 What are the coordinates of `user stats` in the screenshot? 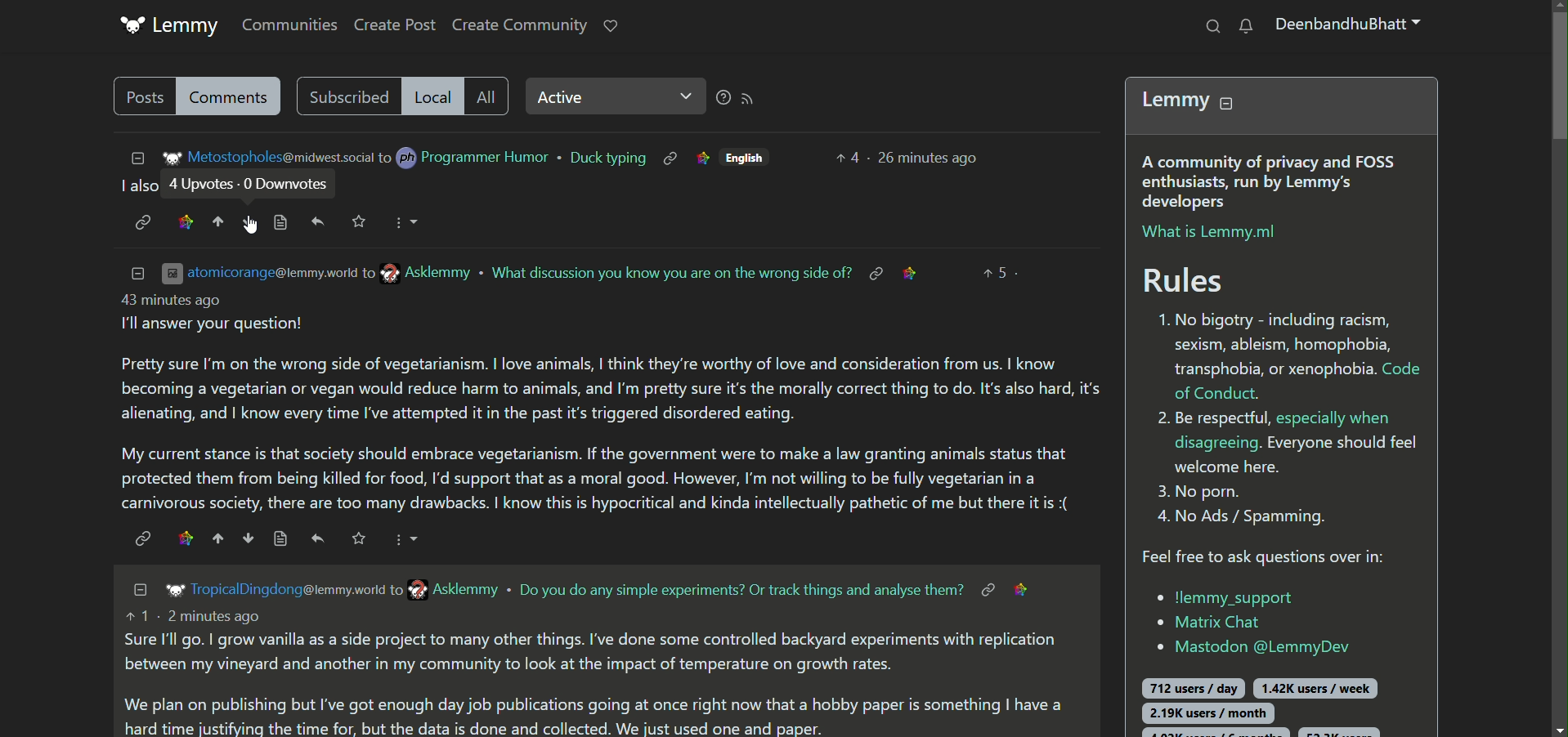 It's located at (1273, 701).